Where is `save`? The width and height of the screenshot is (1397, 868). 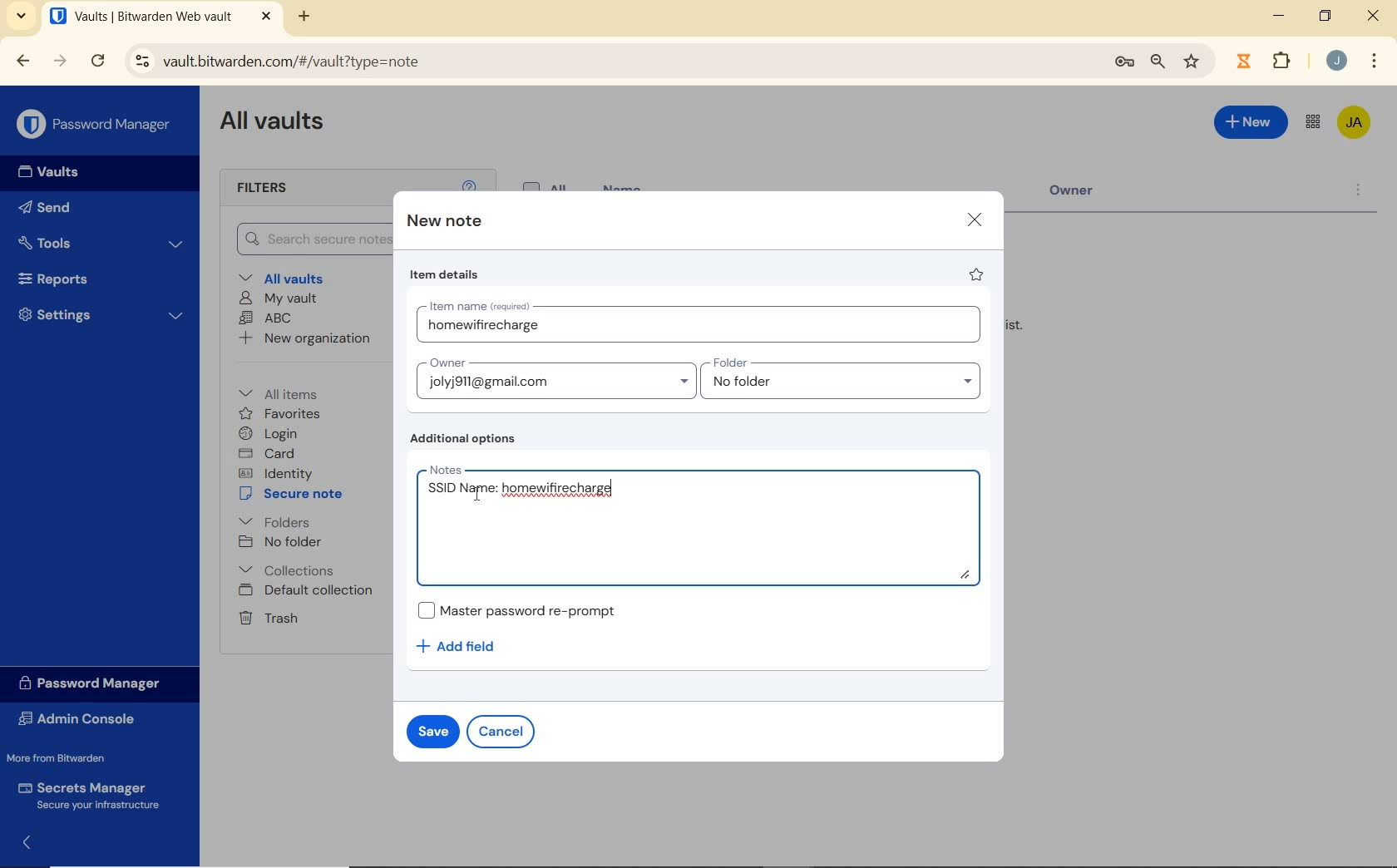 save is located at coordinates (432, 730).